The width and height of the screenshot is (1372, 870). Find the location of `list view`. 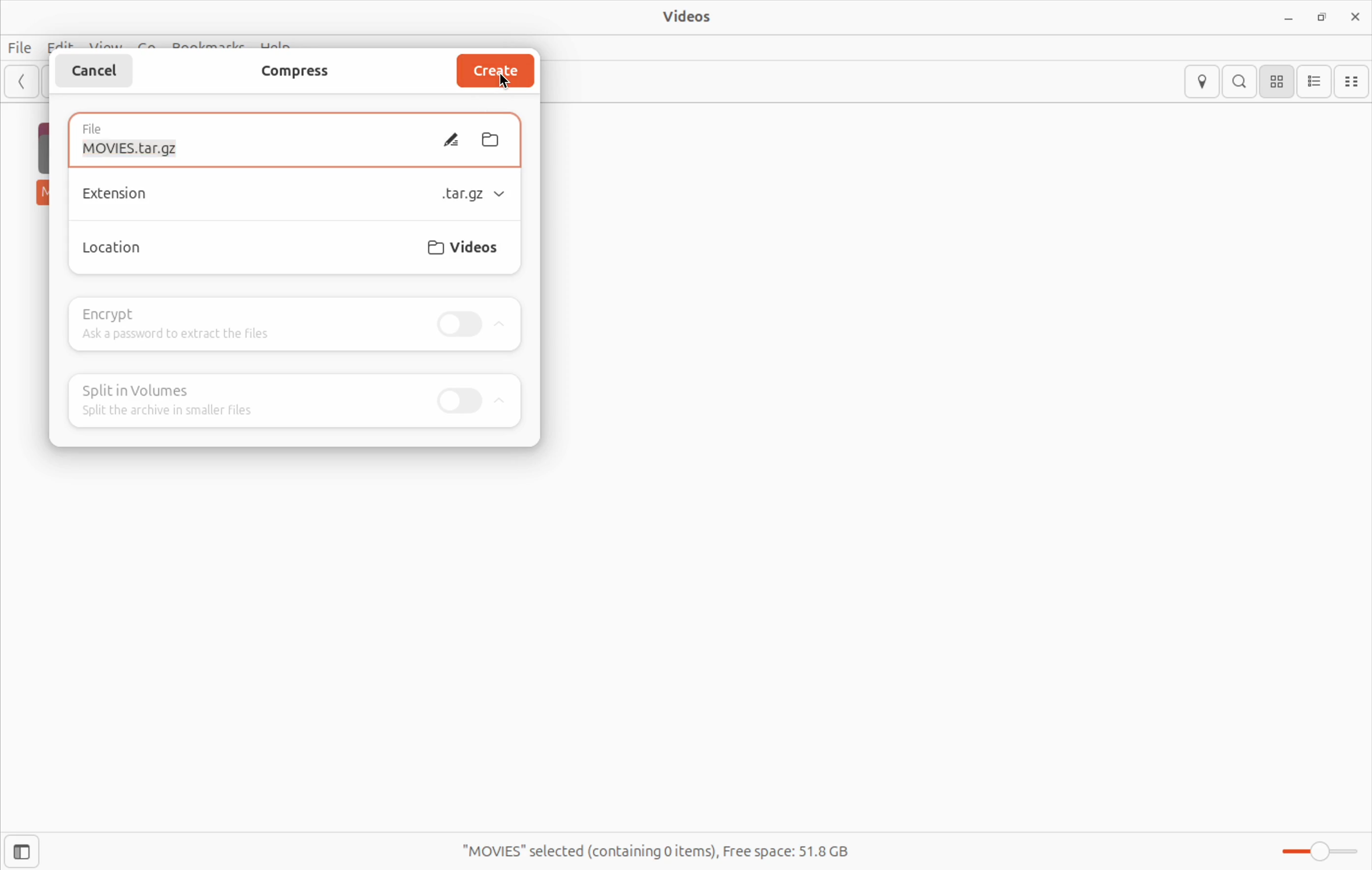

list view is located at coordinates (1315, 81).